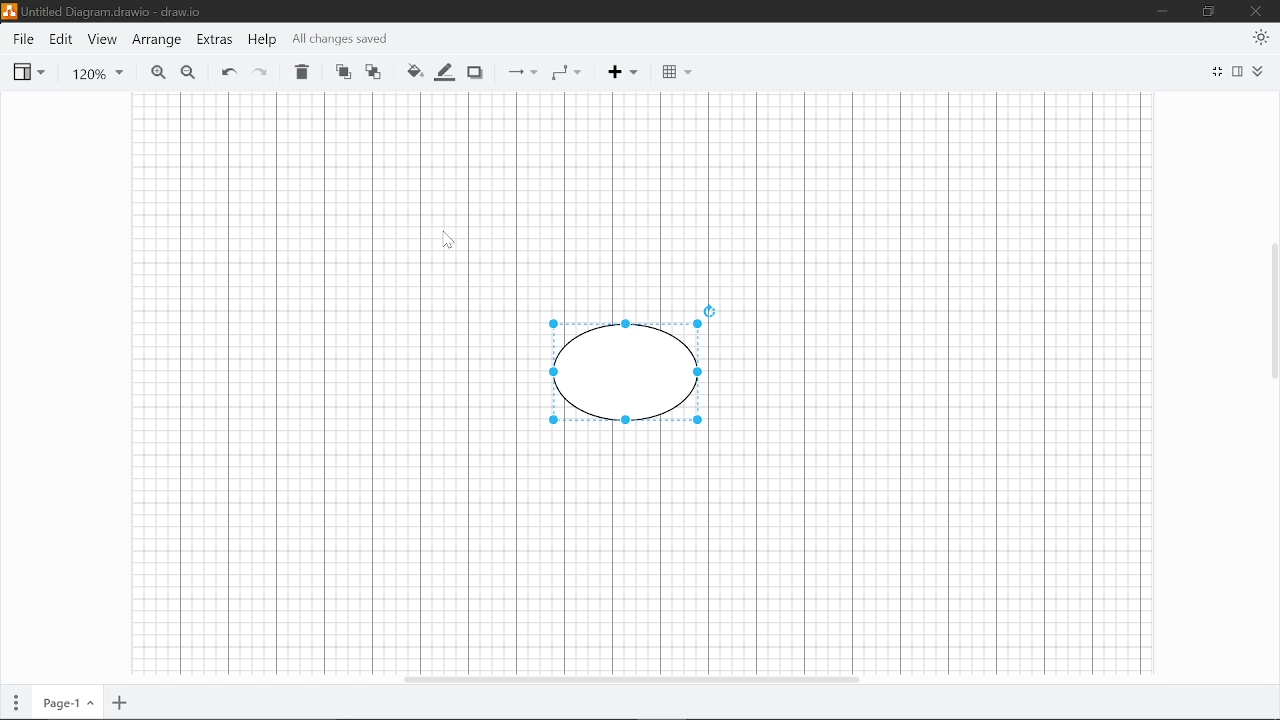 The image size is (1280, 720). Describe the element at coordinates (621, 73) in the screenshot. I see `Add` at that location.